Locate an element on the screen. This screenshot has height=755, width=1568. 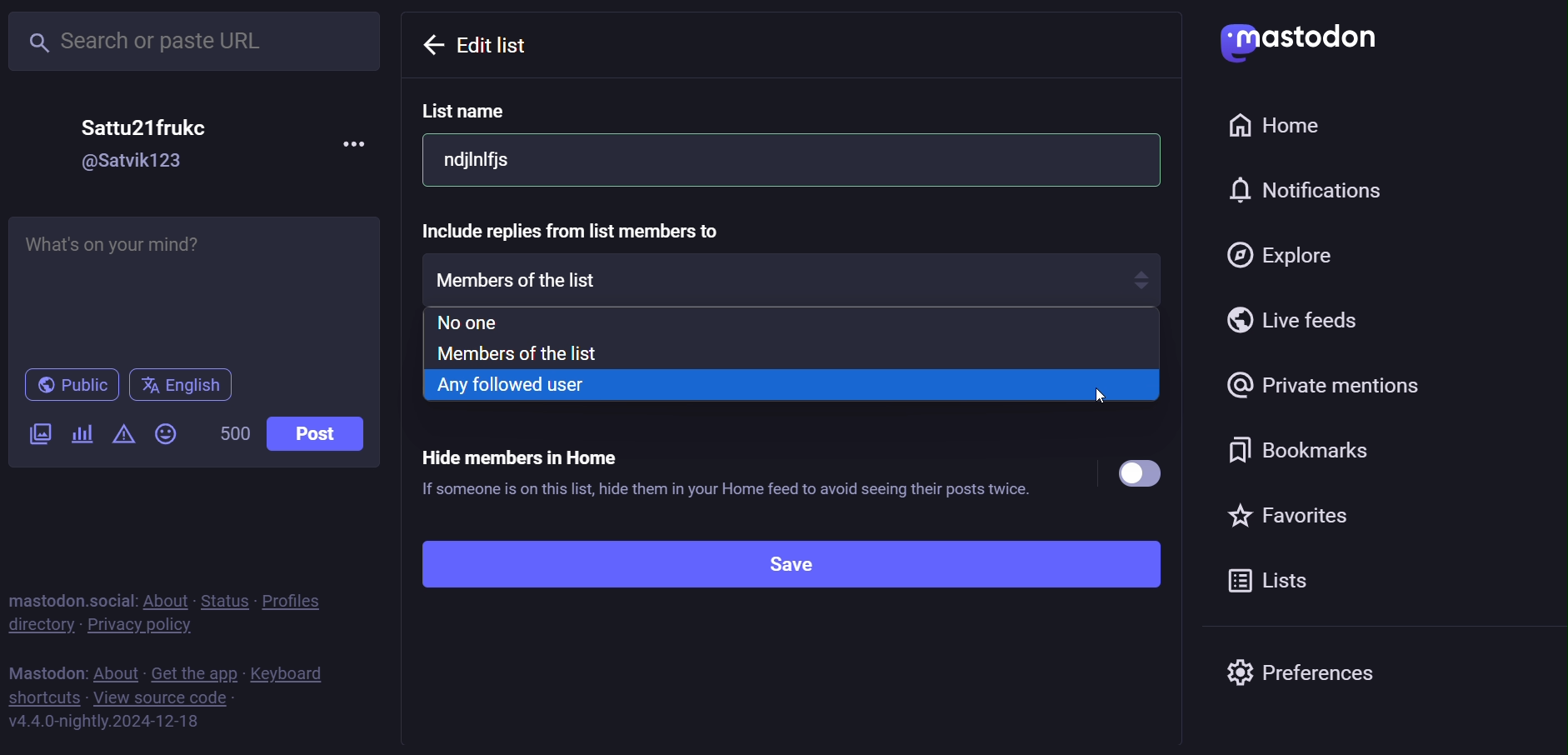
emoji is located at coordinates (165, 433).